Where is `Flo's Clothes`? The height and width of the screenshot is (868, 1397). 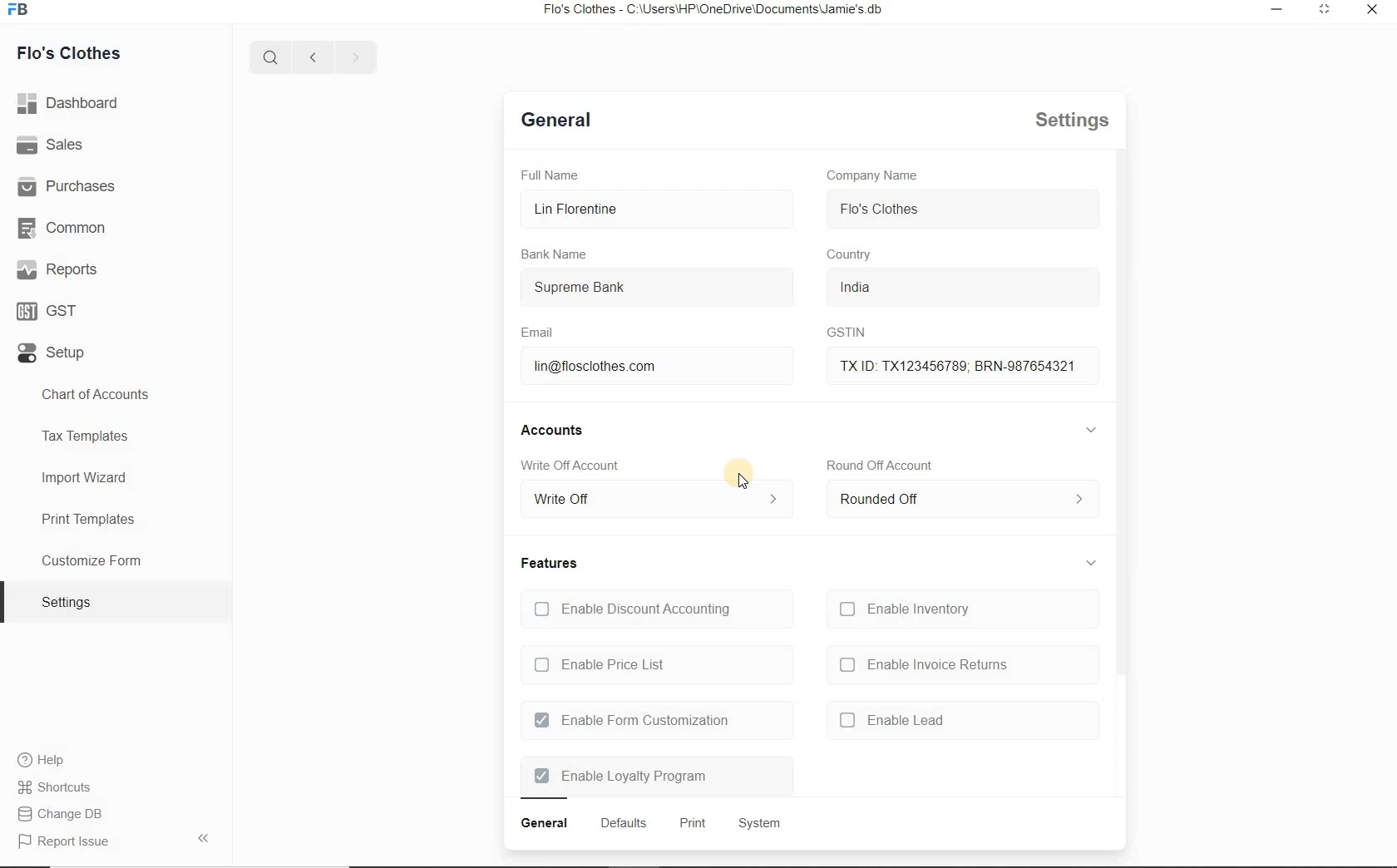 Flo's Clothes is located at coordinates (963, 210).